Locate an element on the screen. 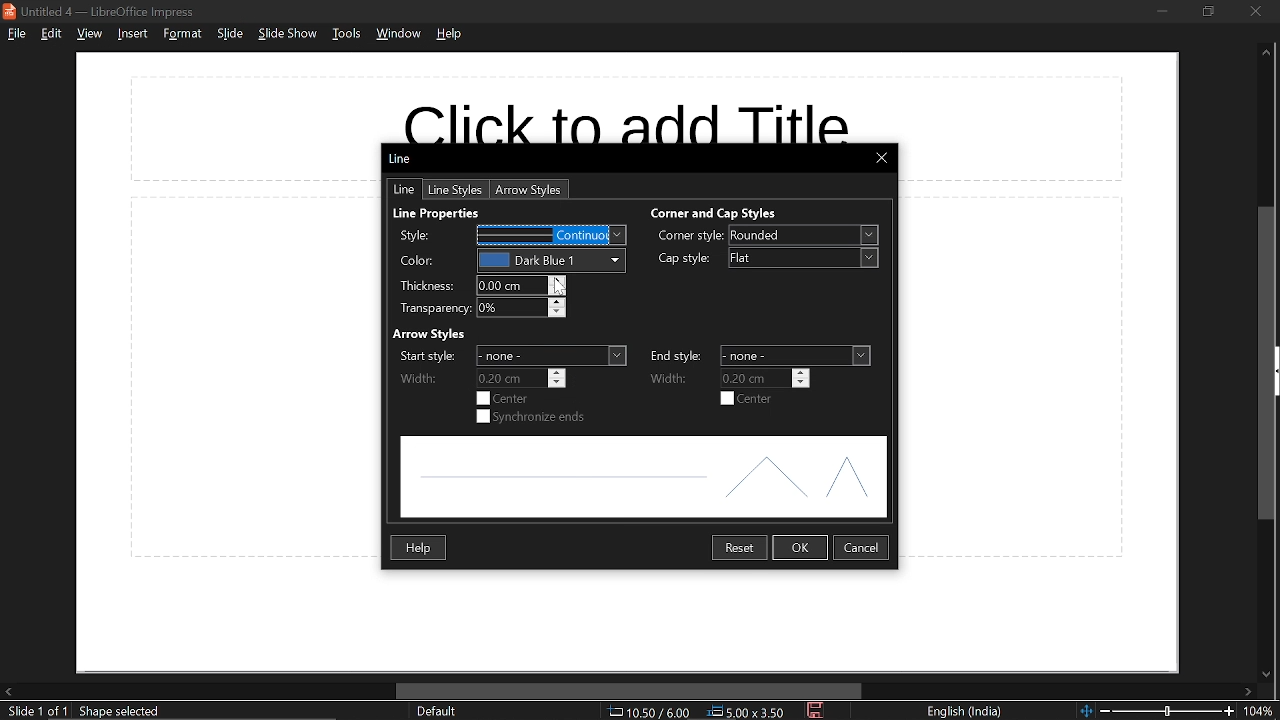 This screenshot has height=720, width=1280. minimize is located at coordinates (1158, 10).